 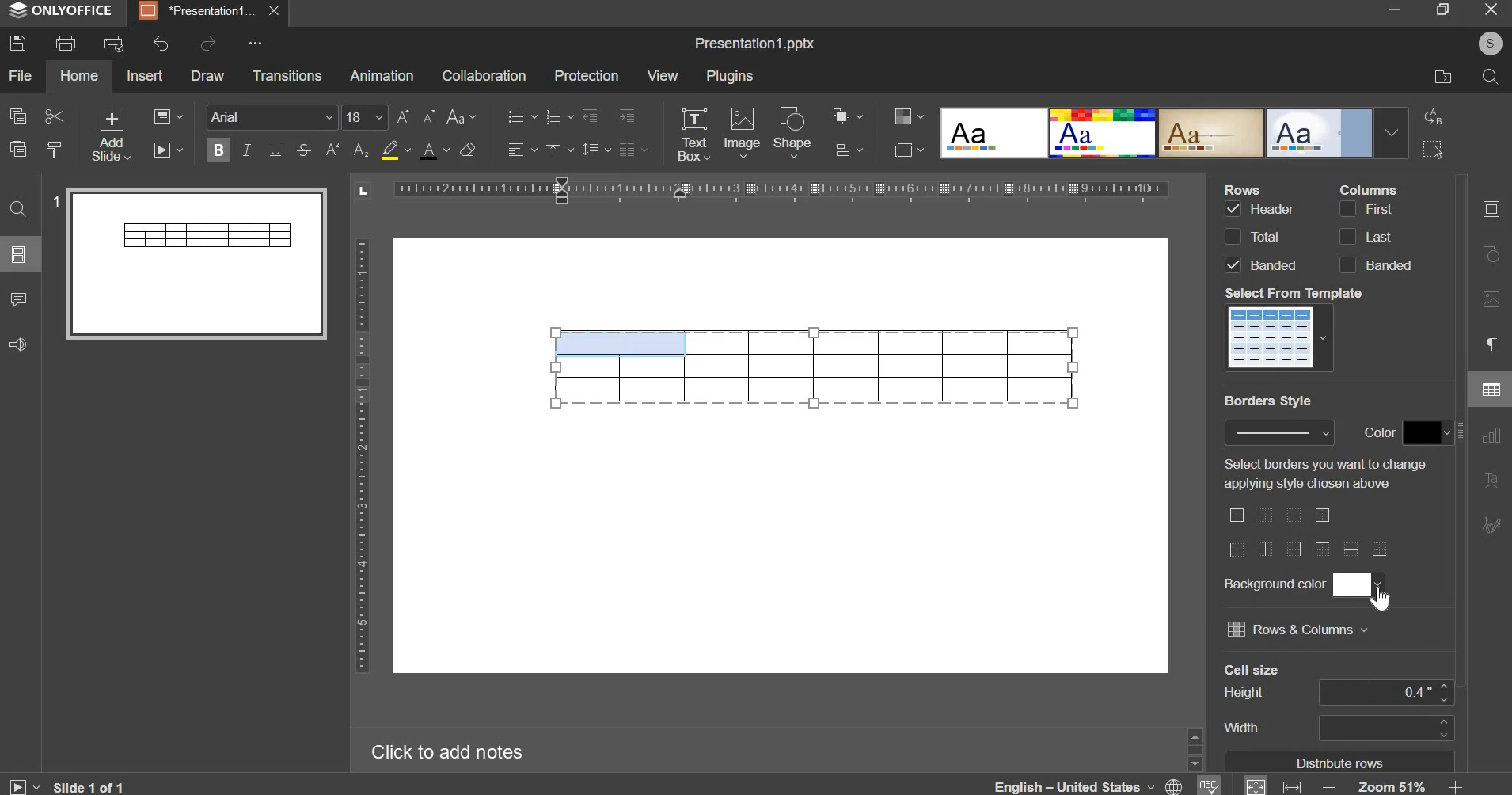 What do you see at coordinates (1386, 692) in the screenshot?
I see `cell size` at bounding box center [1386, 692].